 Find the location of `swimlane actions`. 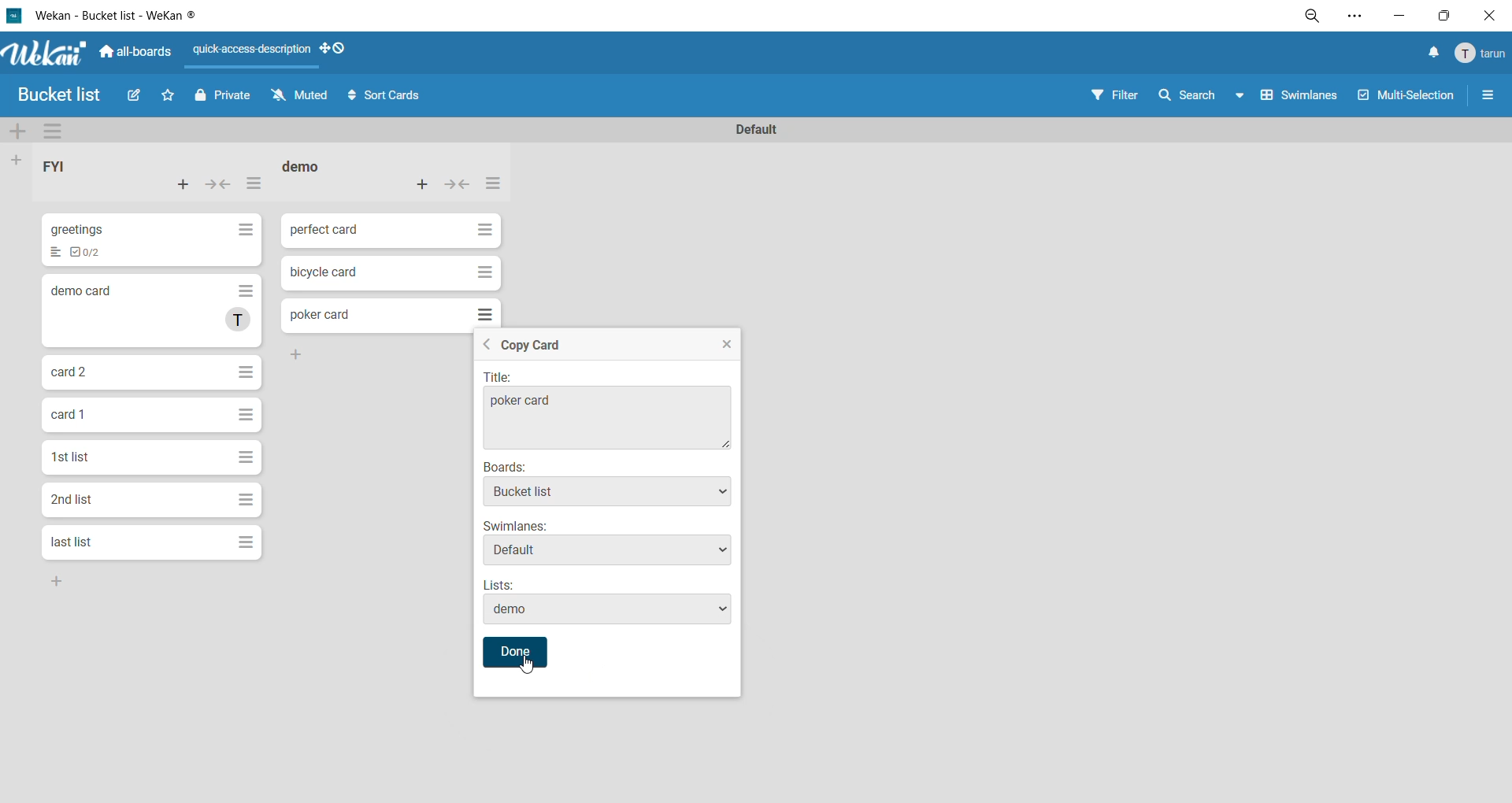

swimlane actions is located at coordinates (60, 132).